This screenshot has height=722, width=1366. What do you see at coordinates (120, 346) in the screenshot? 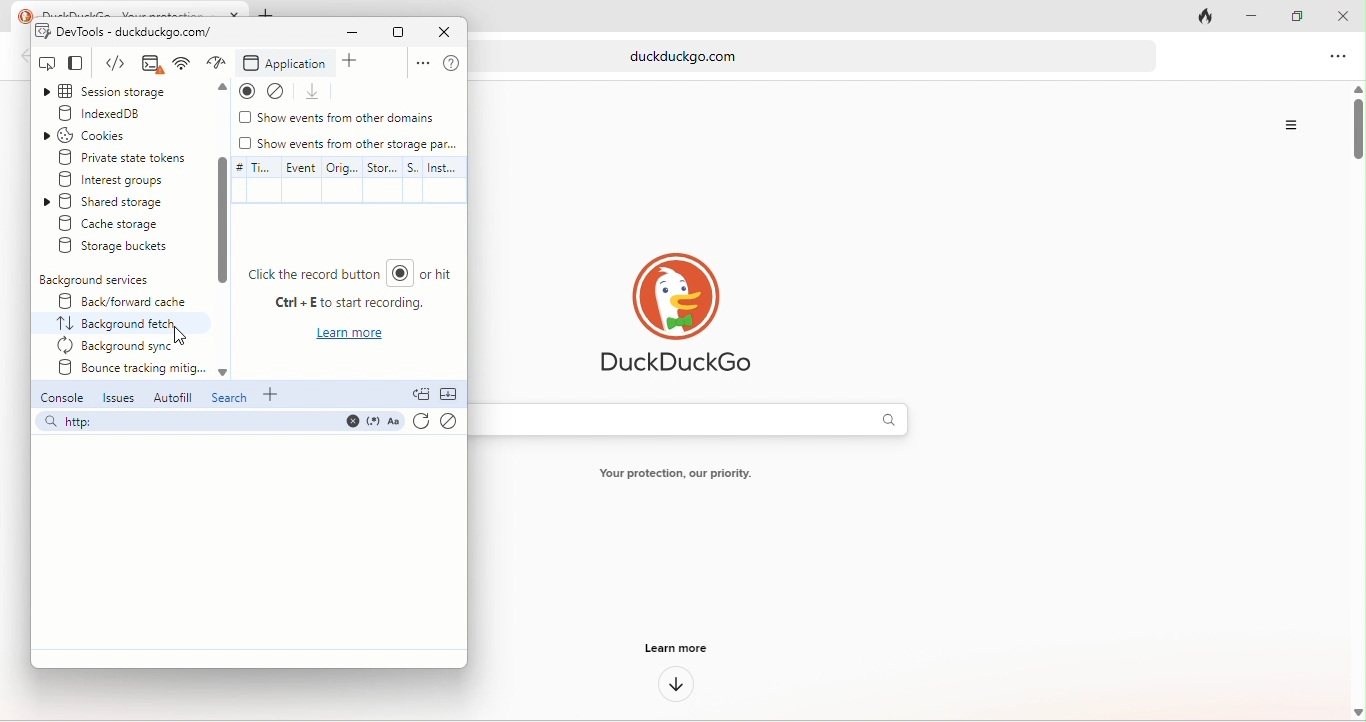
I see `background sync` at bounding box center [120, 346].